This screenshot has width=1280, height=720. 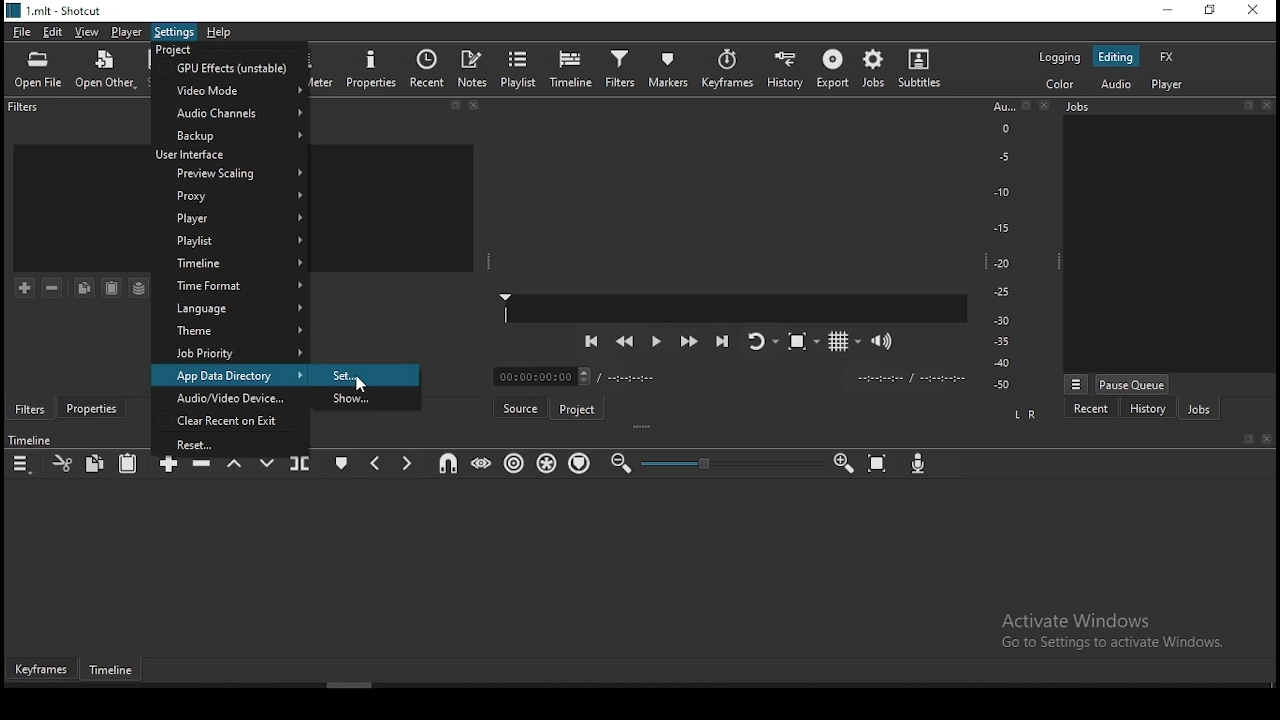 What do you see at coordinates (1198, 408) in the screenshot?
I see `jobs` at bounding box center [1198, 408].